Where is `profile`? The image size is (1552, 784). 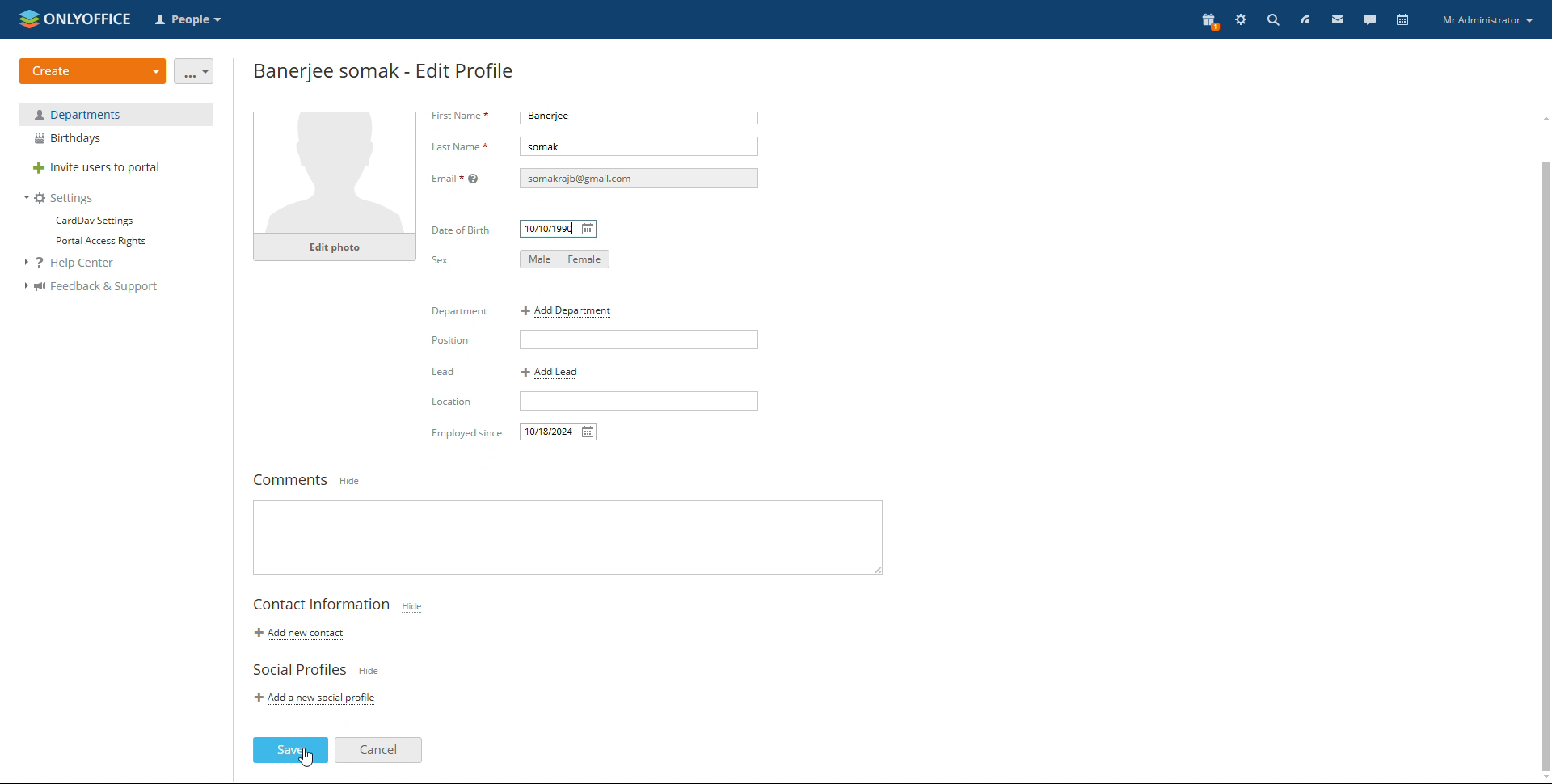
profile is located at coordinates (1487, 21).